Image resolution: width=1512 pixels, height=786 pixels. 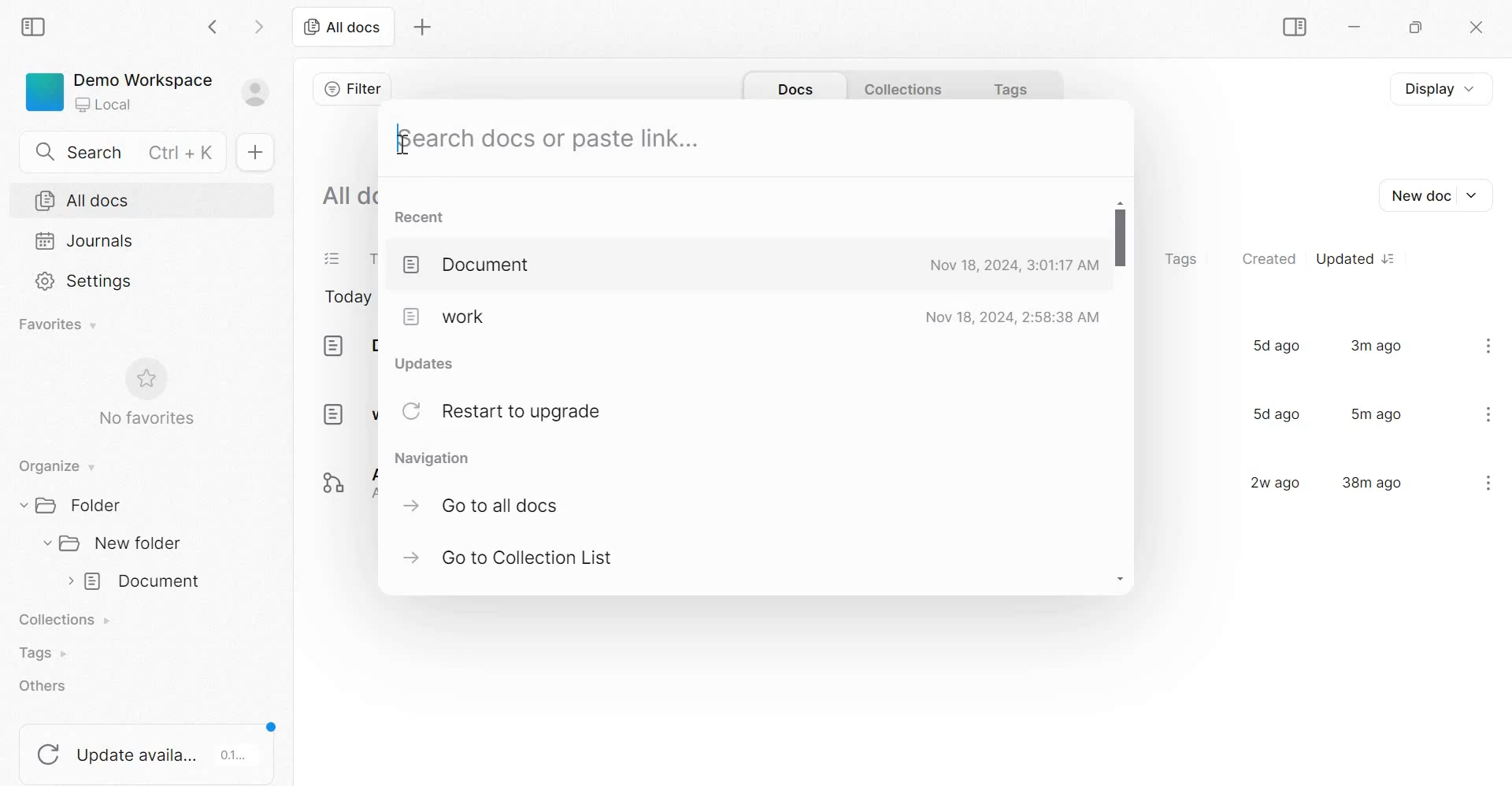 What do you see at coordinates (437, 459) in the screenshot?
I see `Navigation` at bounding box center [437, 459].